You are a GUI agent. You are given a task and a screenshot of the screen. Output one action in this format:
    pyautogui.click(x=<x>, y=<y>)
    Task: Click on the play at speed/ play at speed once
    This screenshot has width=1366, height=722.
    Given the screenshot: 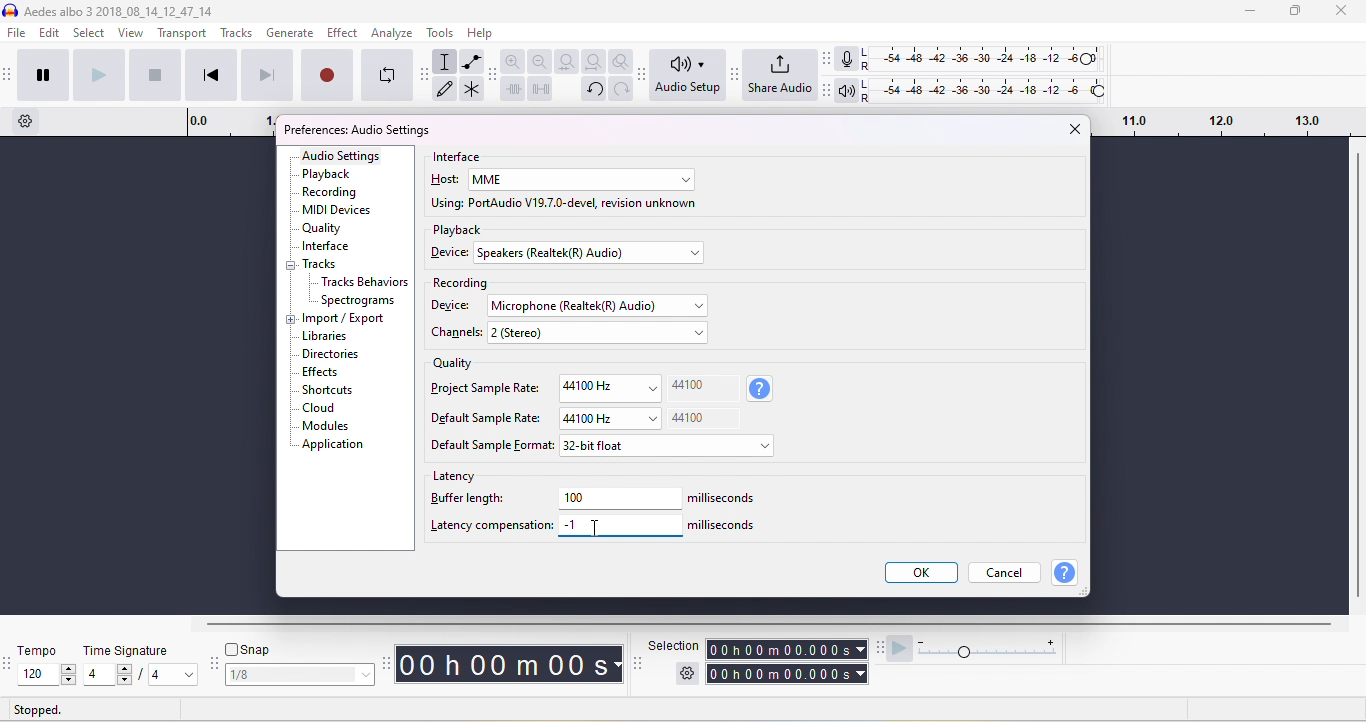 What is the action you would take?
    pyautogui.click(x=900, y=650)
    